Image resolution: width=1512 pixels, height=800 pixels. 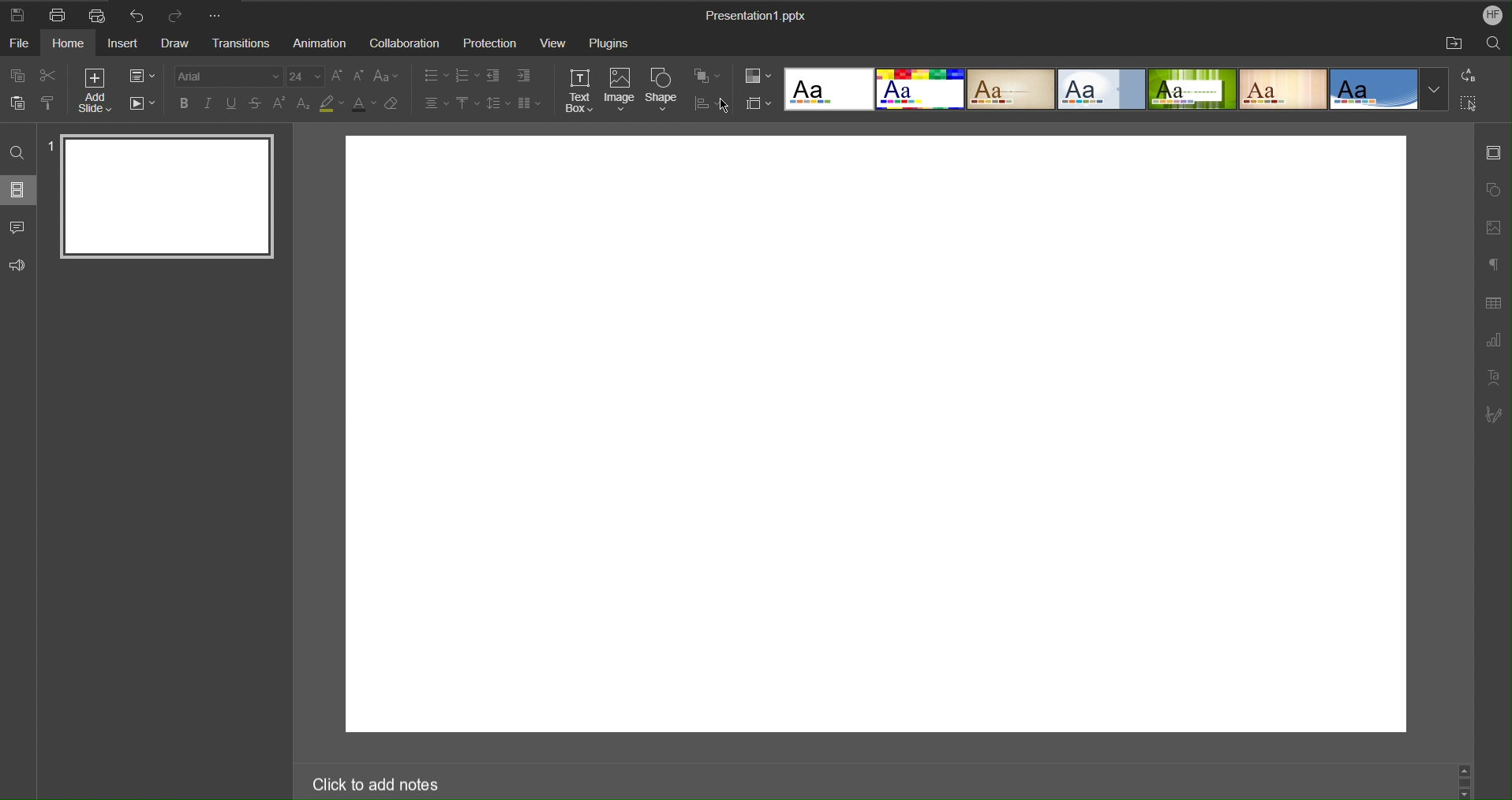 I want to click on Feedback and Support, so click(x=19, y=267).